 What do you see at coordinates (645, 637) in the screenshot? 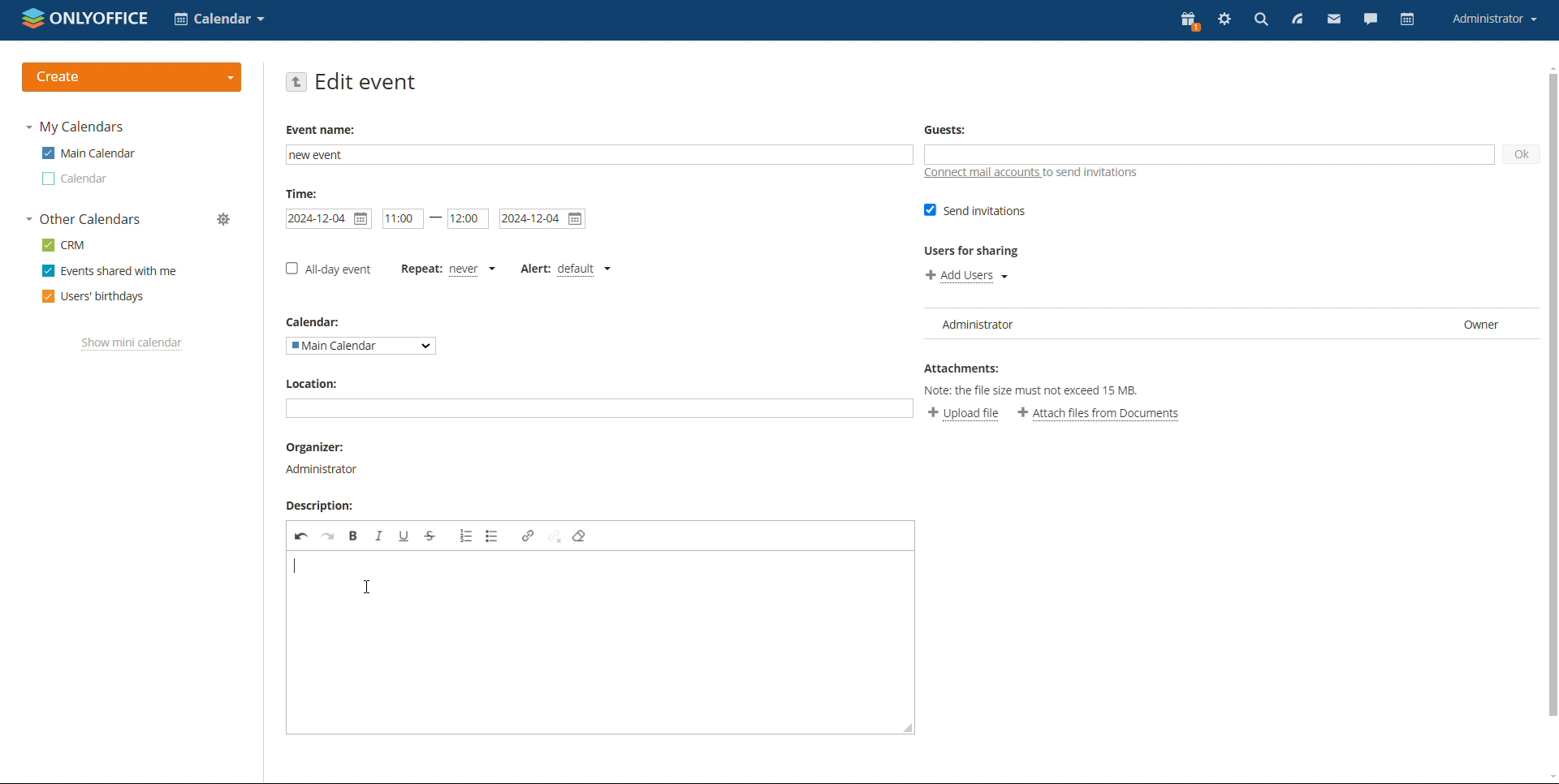
I see `description` at bounding box center [645, 637].